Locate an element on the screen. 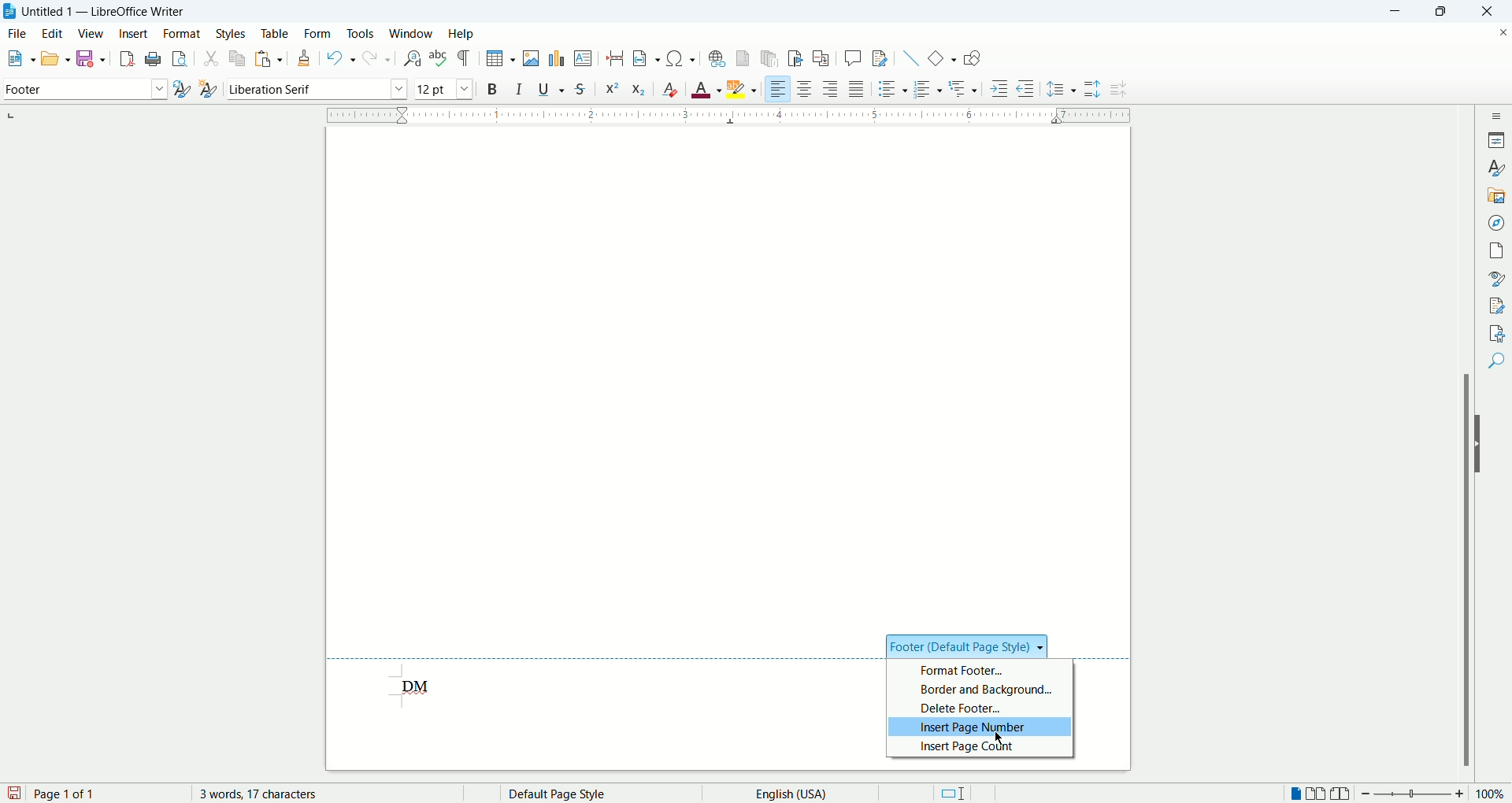 The height and width of the screenshot is (803, 1512). format footer is located at coordinates (977, 667).